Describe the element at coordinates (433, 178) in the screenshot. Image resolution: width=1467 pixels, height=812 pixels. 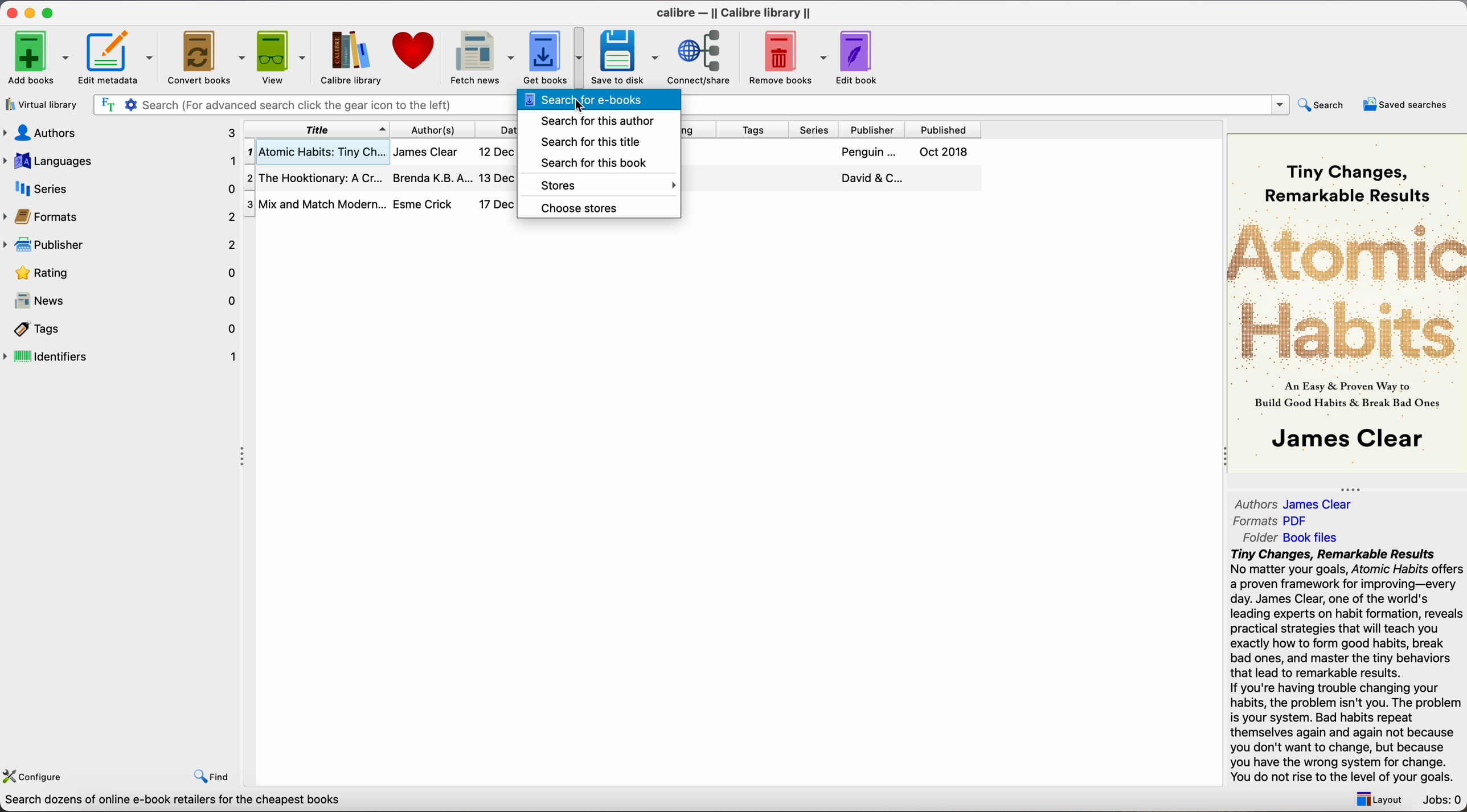
I see `Brenda K.B.A...` at that location.